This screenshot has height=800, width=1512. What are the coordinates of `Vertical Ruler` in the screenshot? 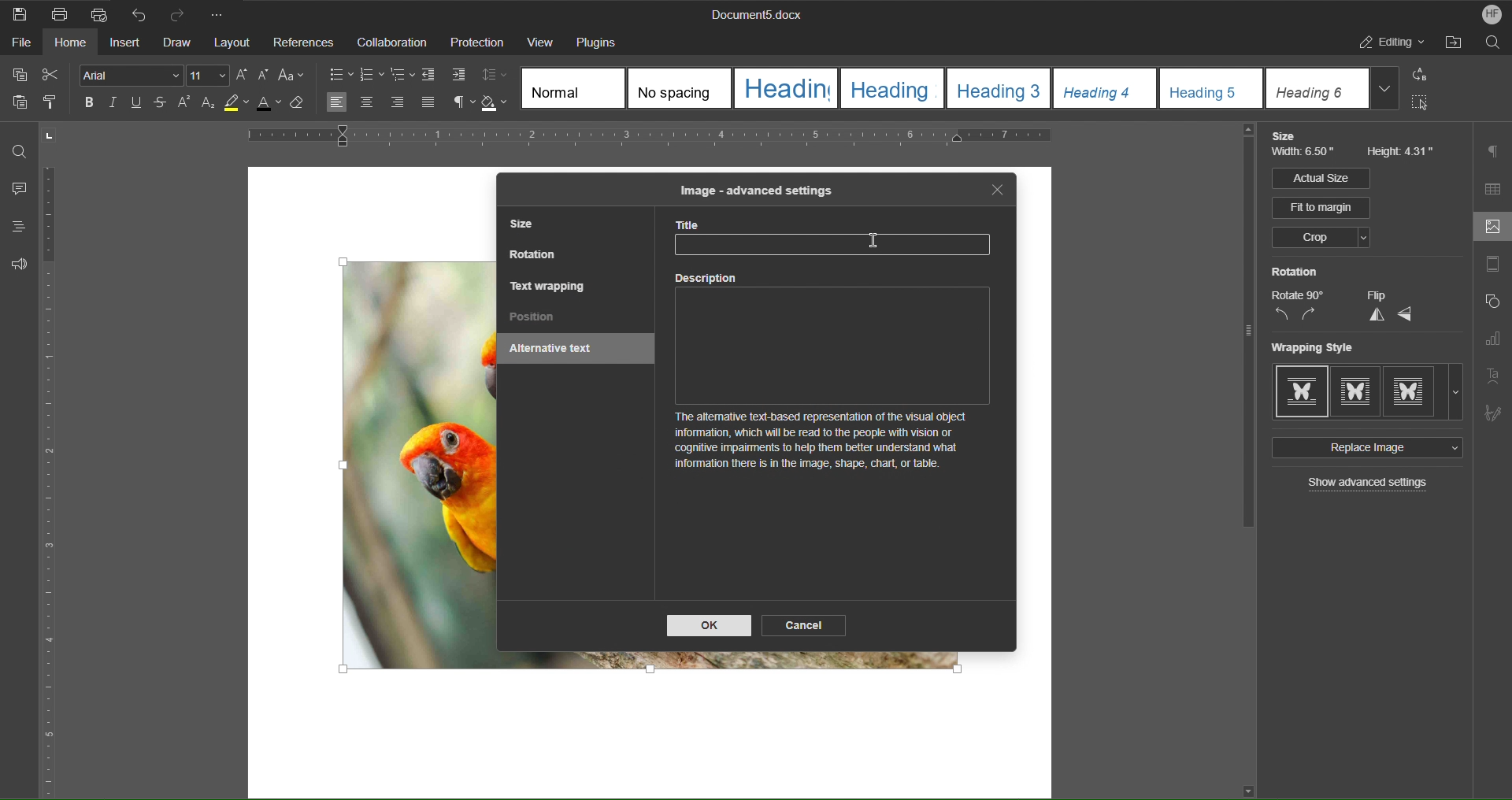 It's located at (51, 483).